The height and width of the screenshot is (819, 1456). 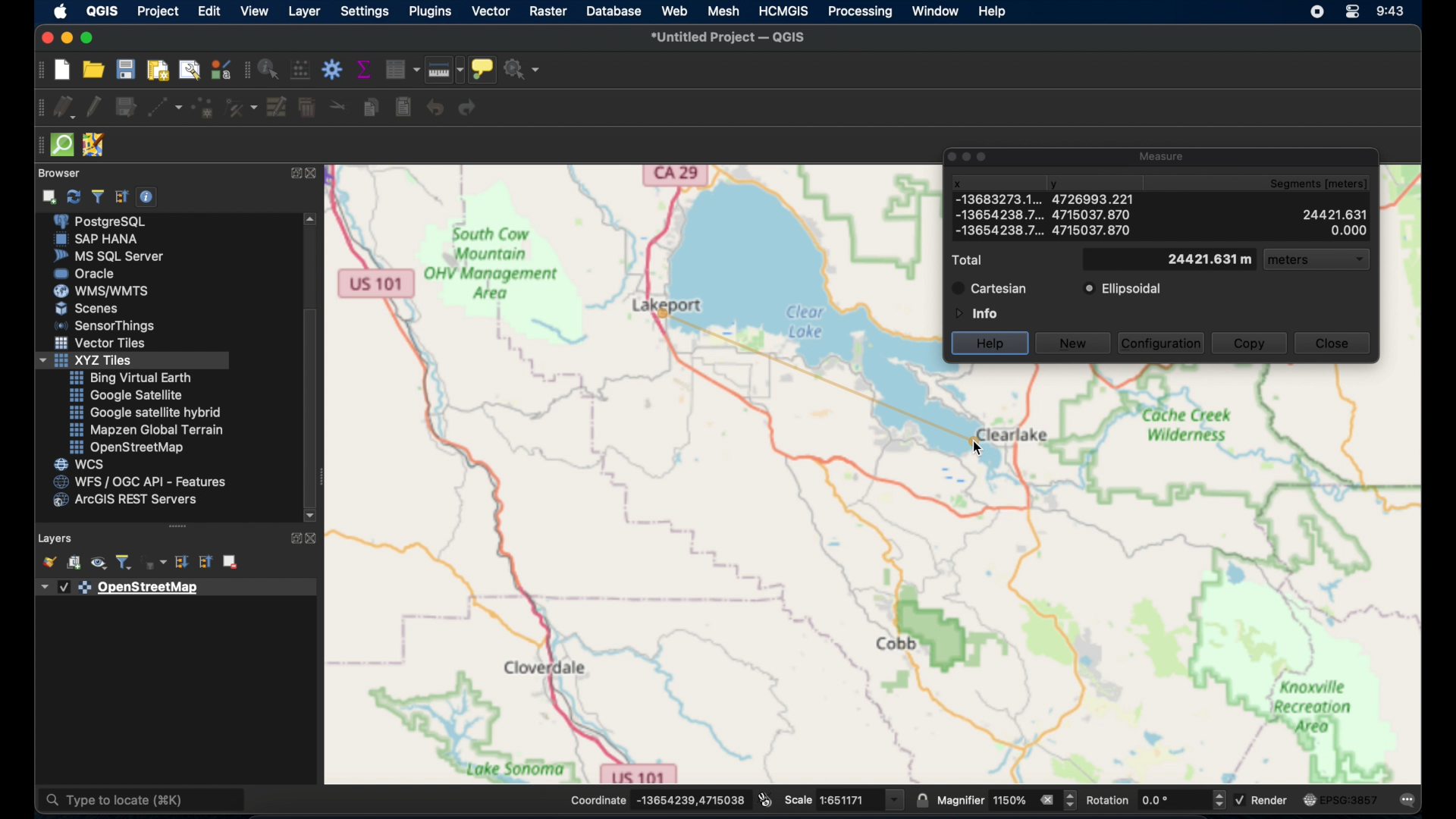 I want to click on configuration, so click(x=1163, y=342).